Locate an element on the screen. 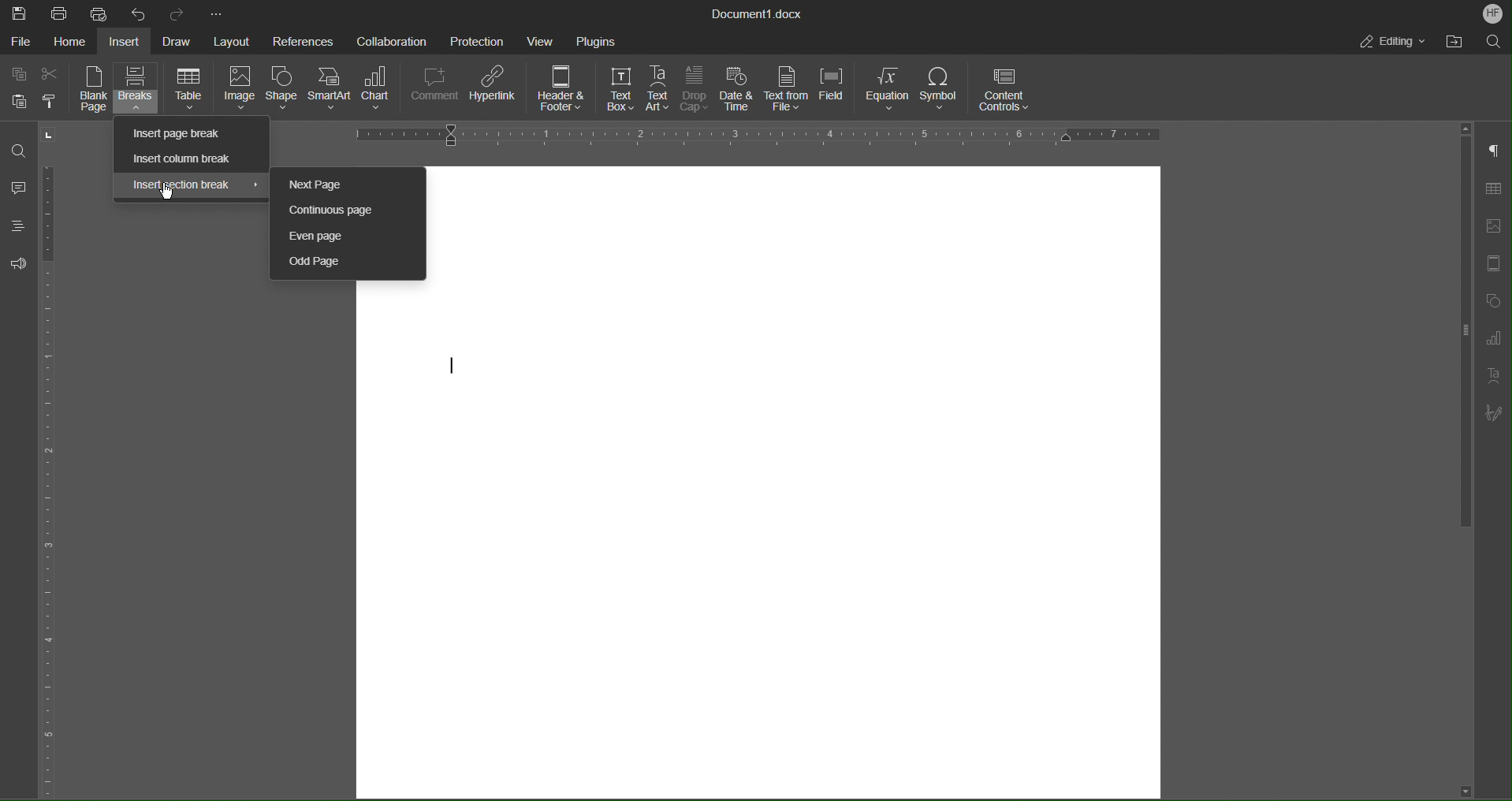  Editing is located at coordinates (1392, 42).